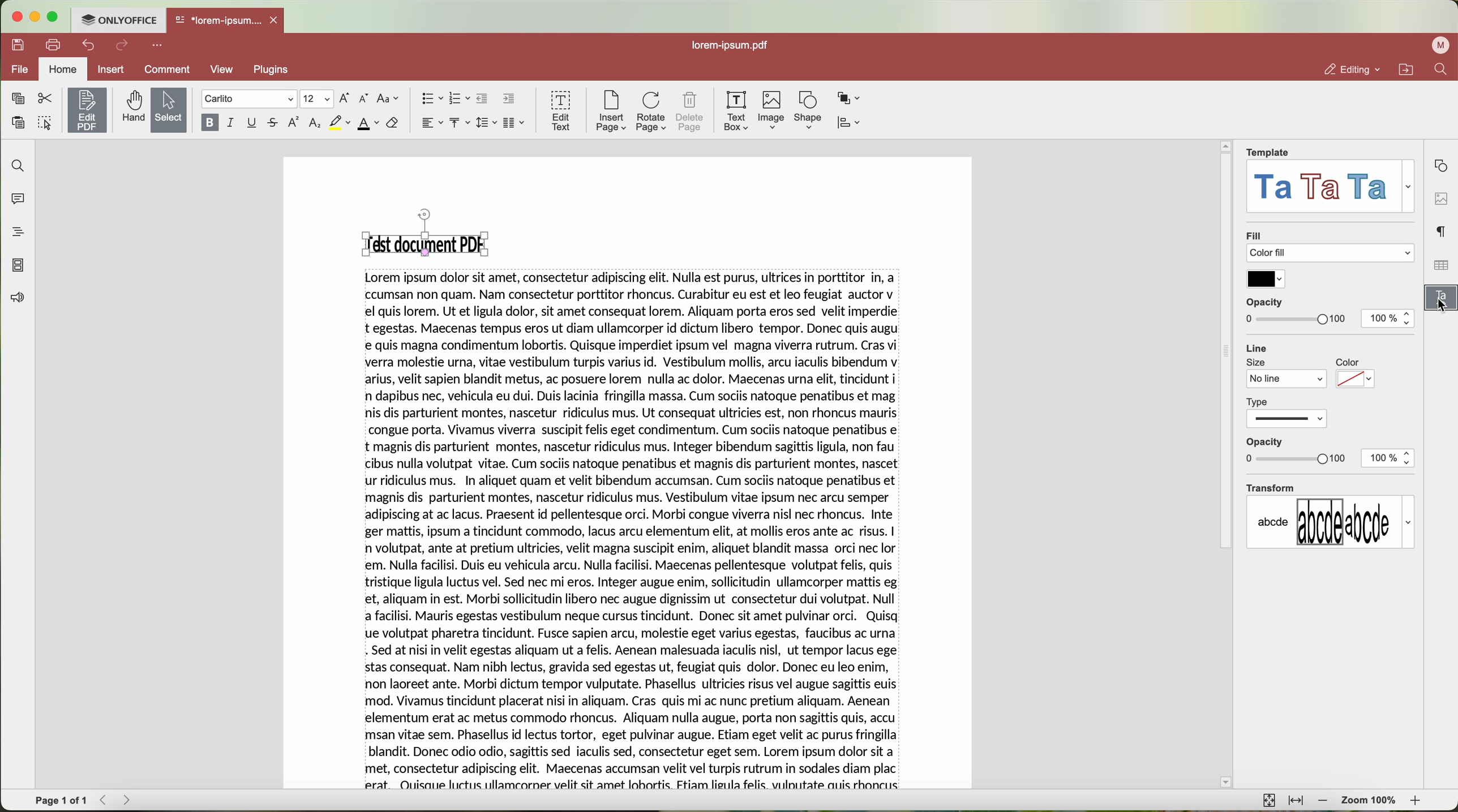  Describe the element at coordinates (105, 800) in the screenshot. I see `Backward` at that location.